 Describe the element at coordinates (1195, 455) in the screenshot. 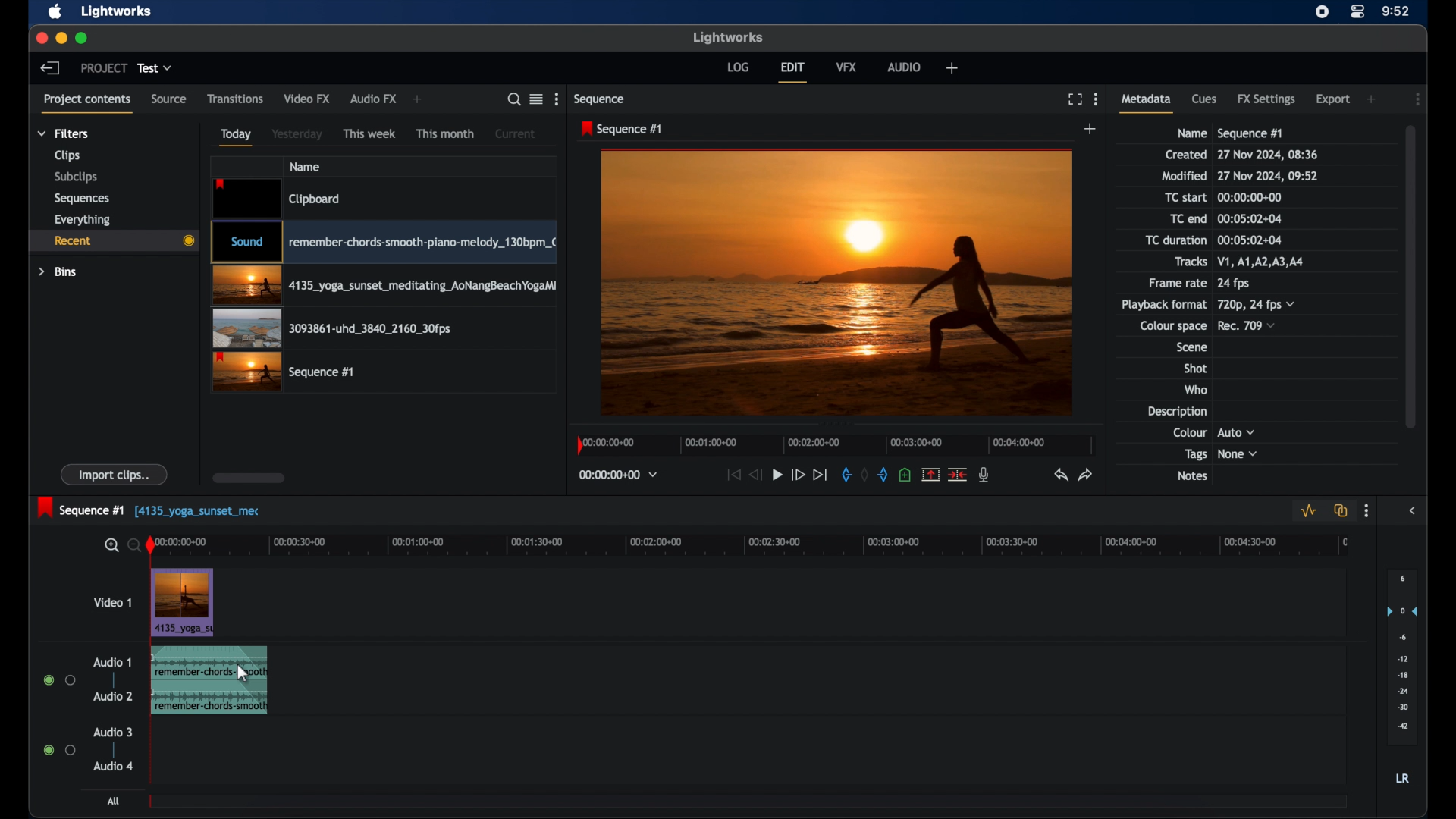

I see `tags` at that location.